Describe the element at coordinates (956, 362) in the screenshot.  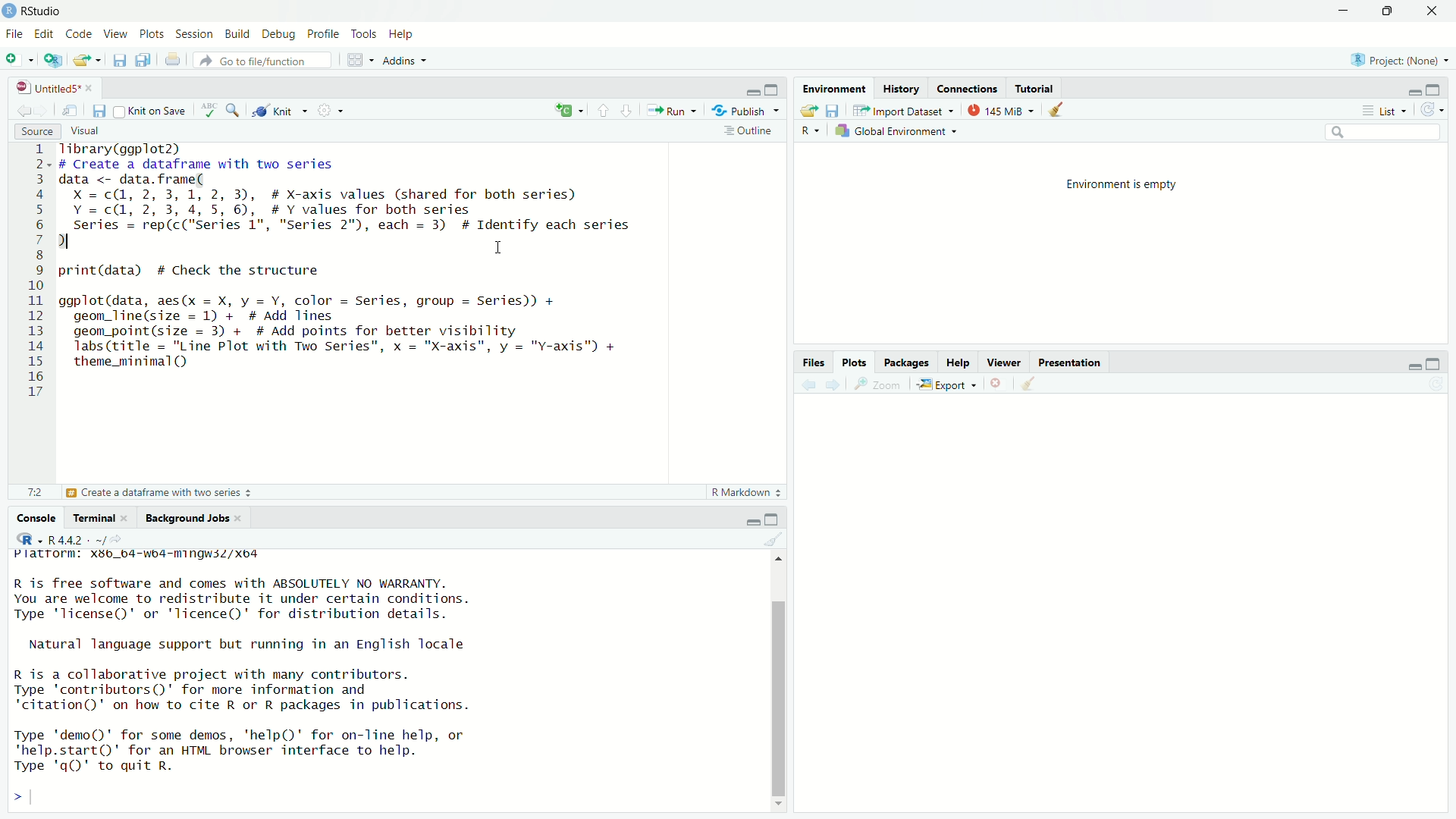
I see `Help` at that location.